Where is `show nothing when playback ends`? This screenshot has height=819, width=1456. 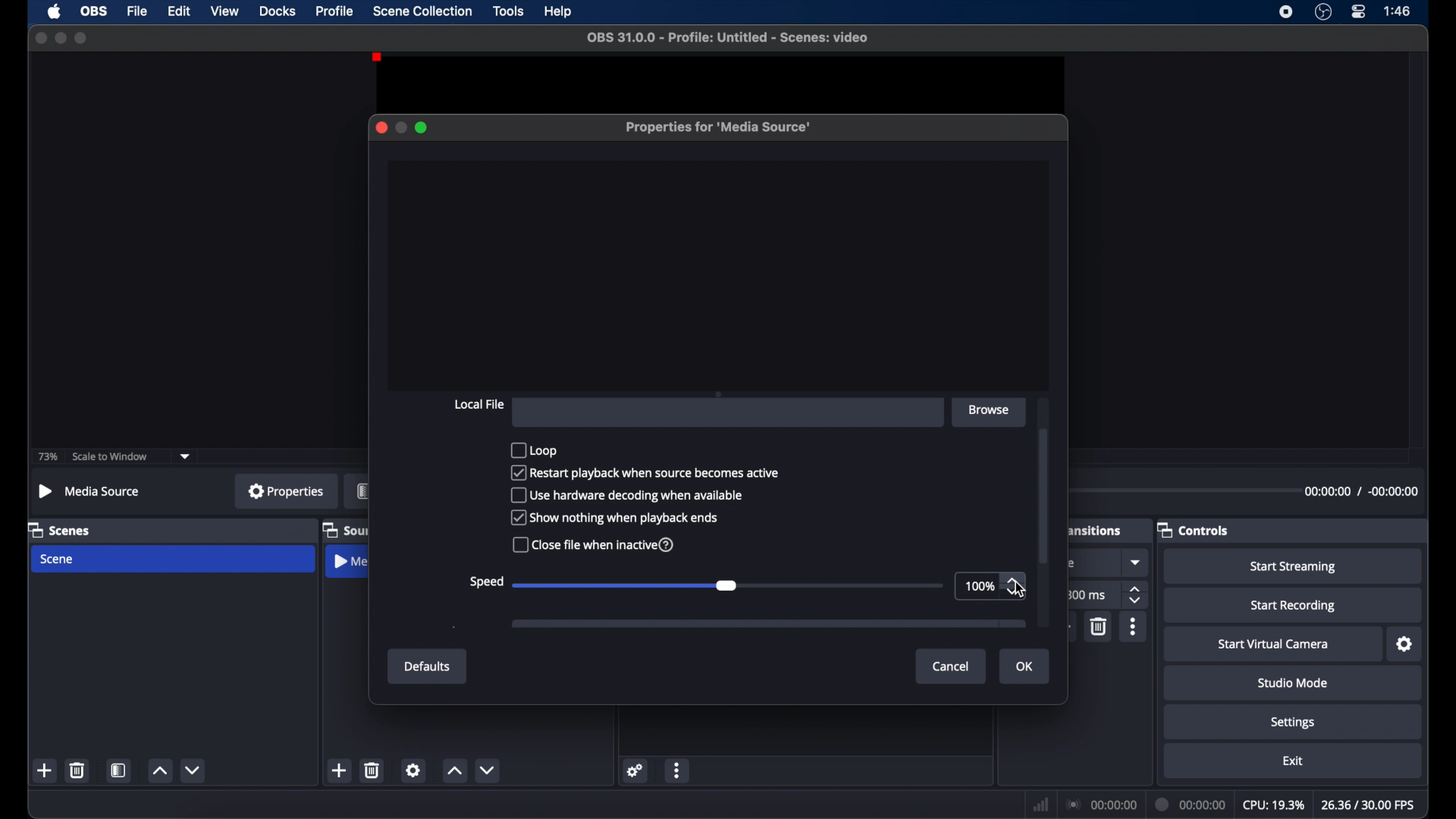
show nothing when playback ends is located at coordinates (614, 518).